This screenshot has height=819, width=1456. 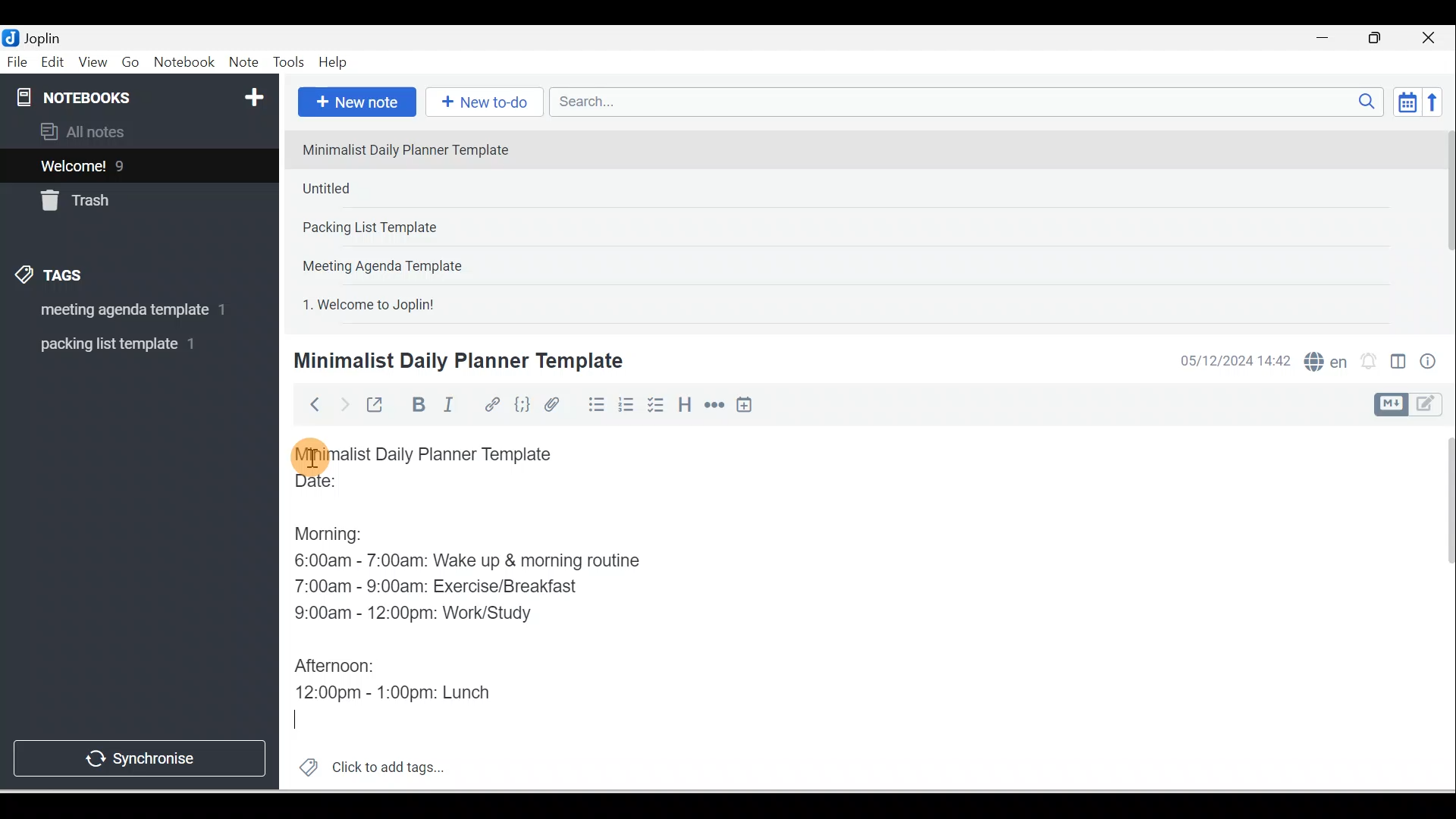 I want to click on Set alarm, so click(x=1367, y=362).